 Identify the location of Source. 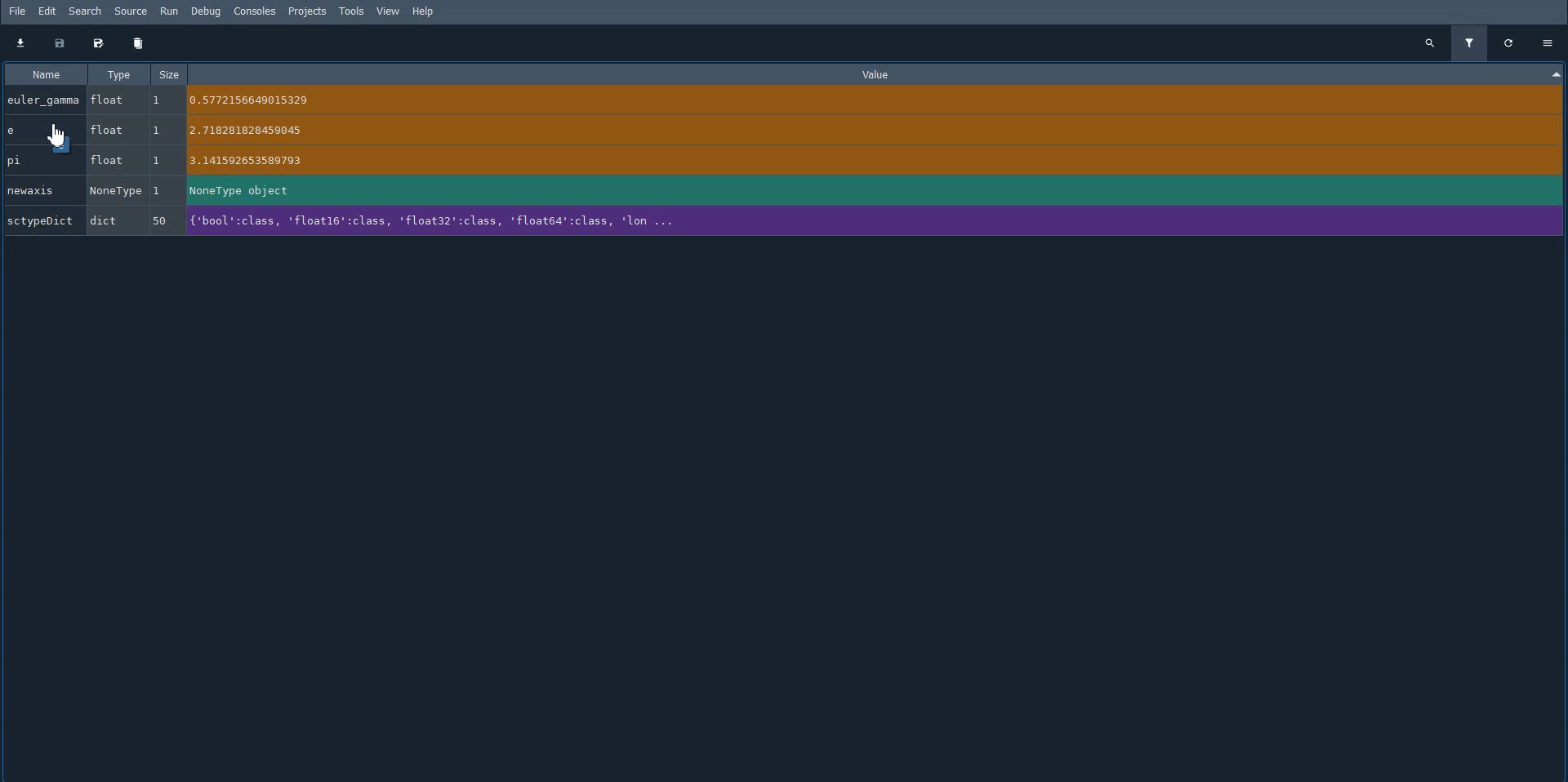
(129, 10).